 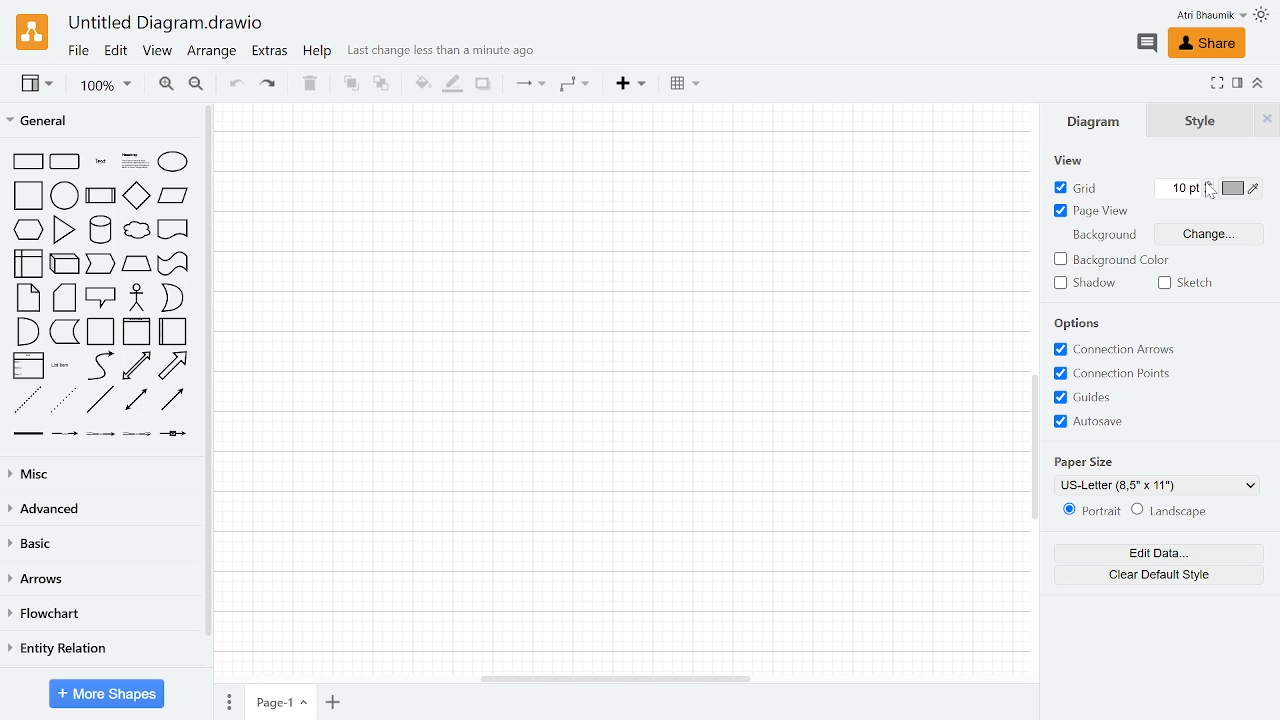 I want to click on General shapes, so click(x=104, y=296).